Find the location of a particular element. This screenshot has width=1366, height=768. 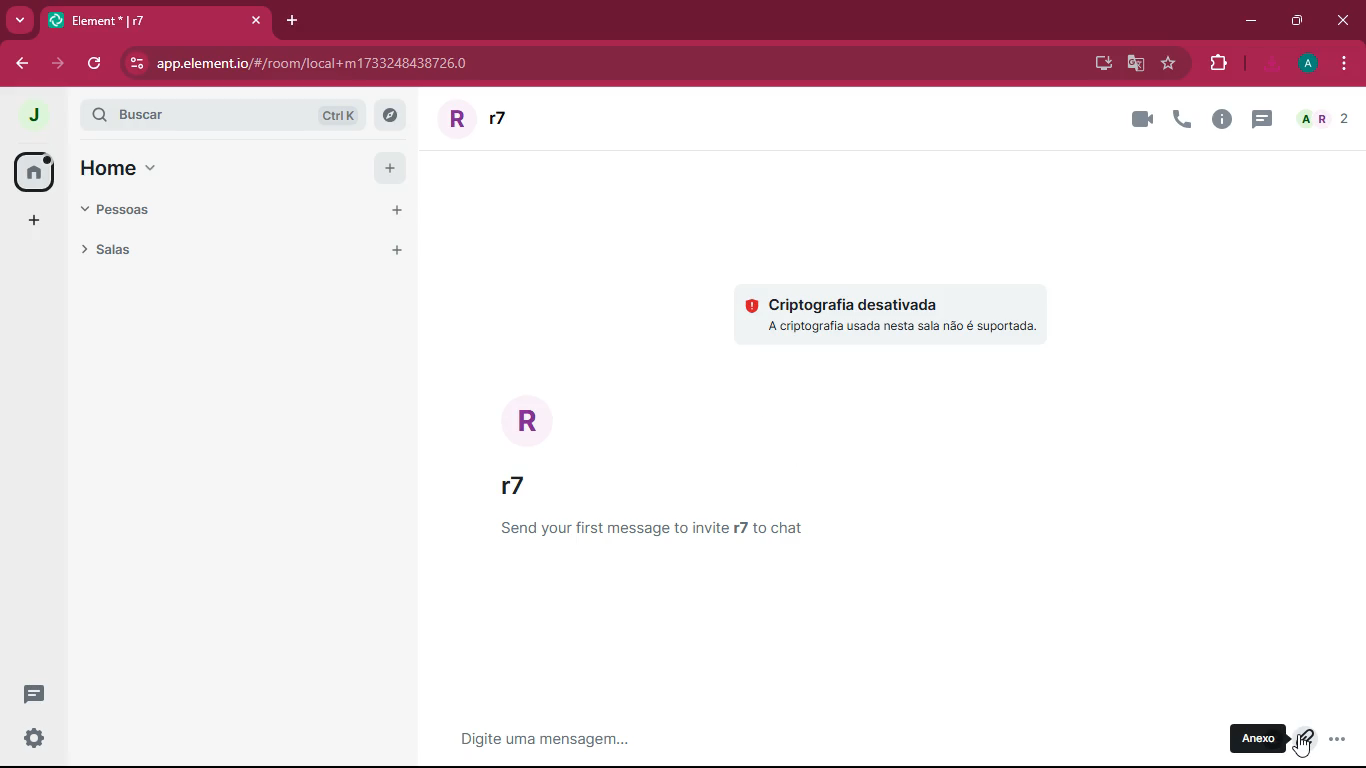

add tab is located at coordinates (291, 21).